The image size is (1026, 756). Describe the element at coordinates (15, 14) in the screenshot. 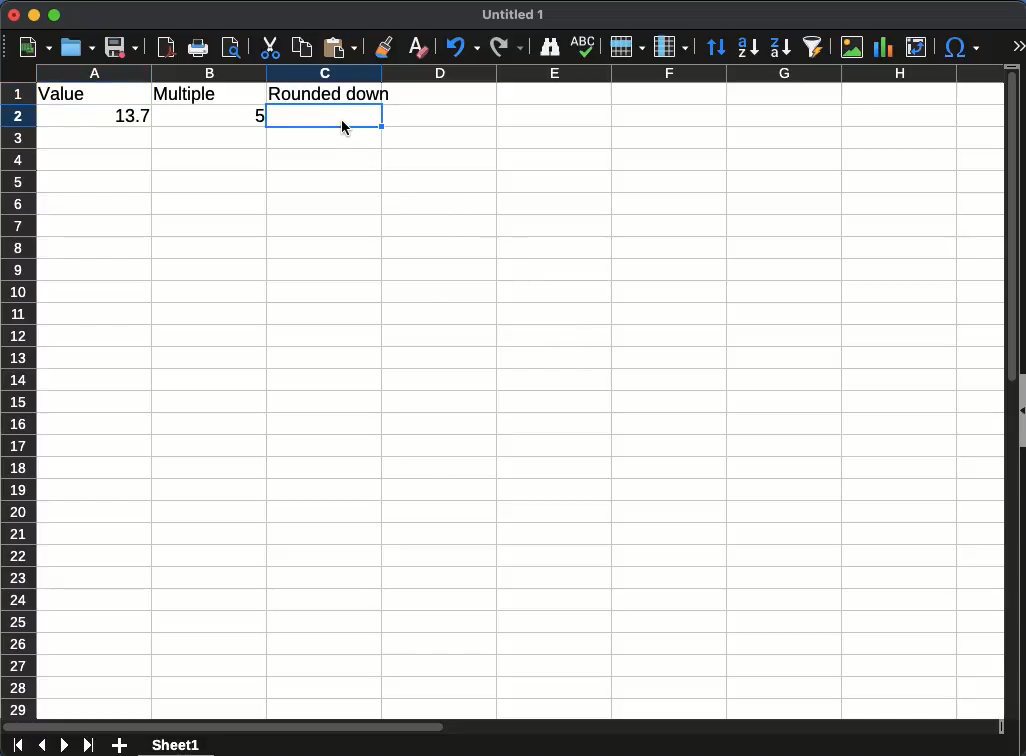

I see `close` at that location.